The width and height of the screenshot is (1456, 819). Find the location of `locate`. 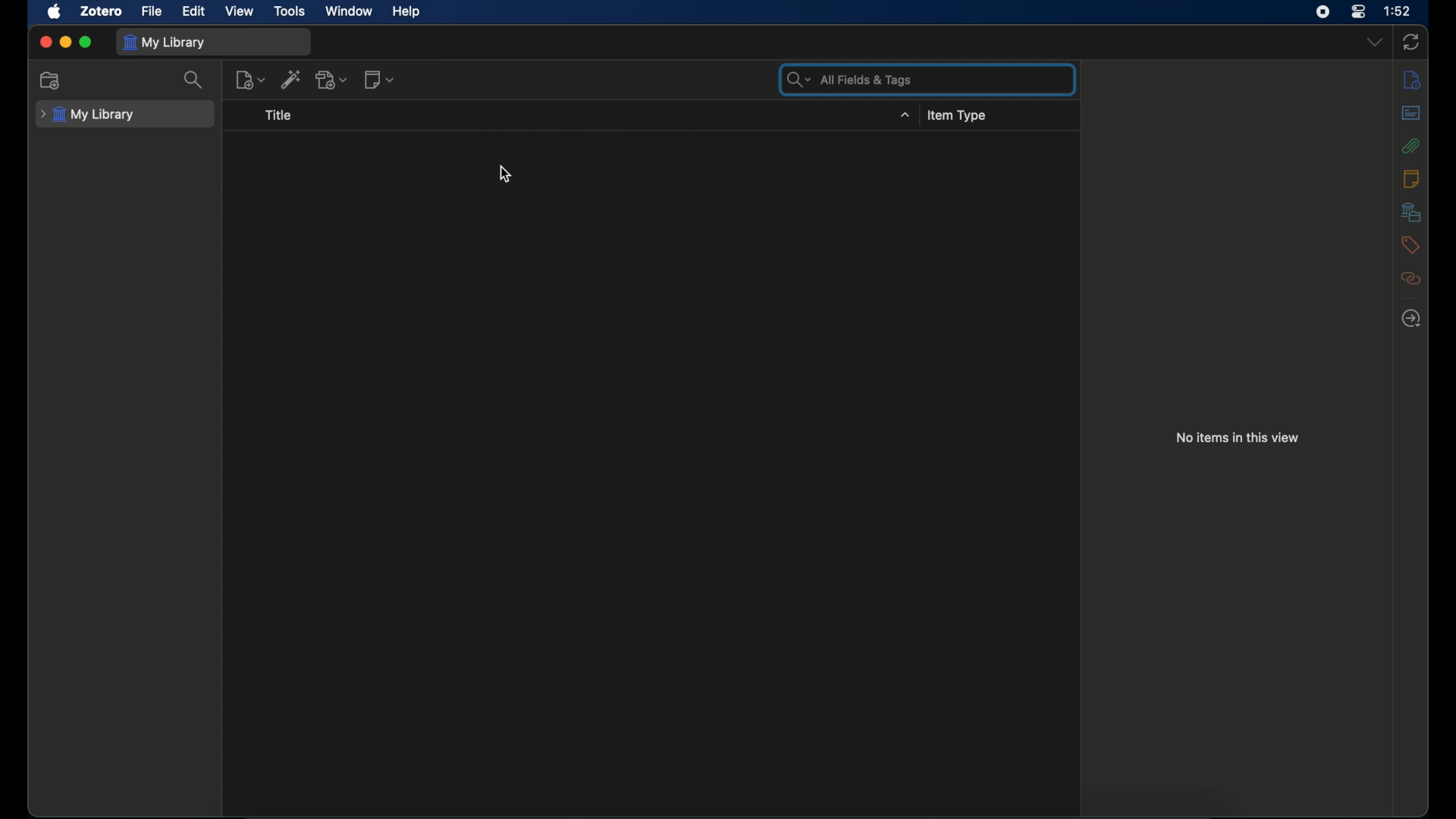

locate is located at coordinates (1410, 319).